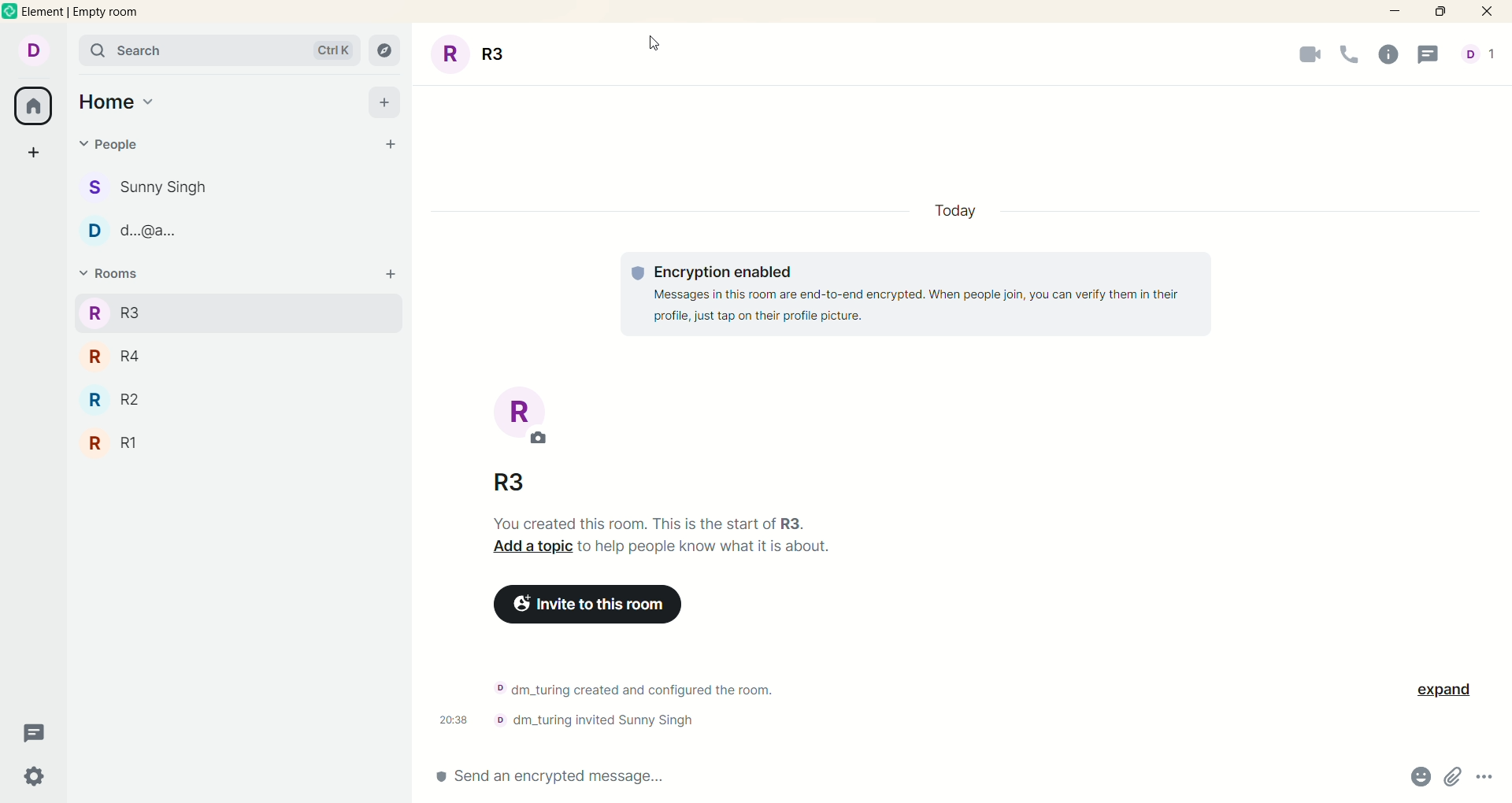  I want to click on minimize, so click(1395, 16).